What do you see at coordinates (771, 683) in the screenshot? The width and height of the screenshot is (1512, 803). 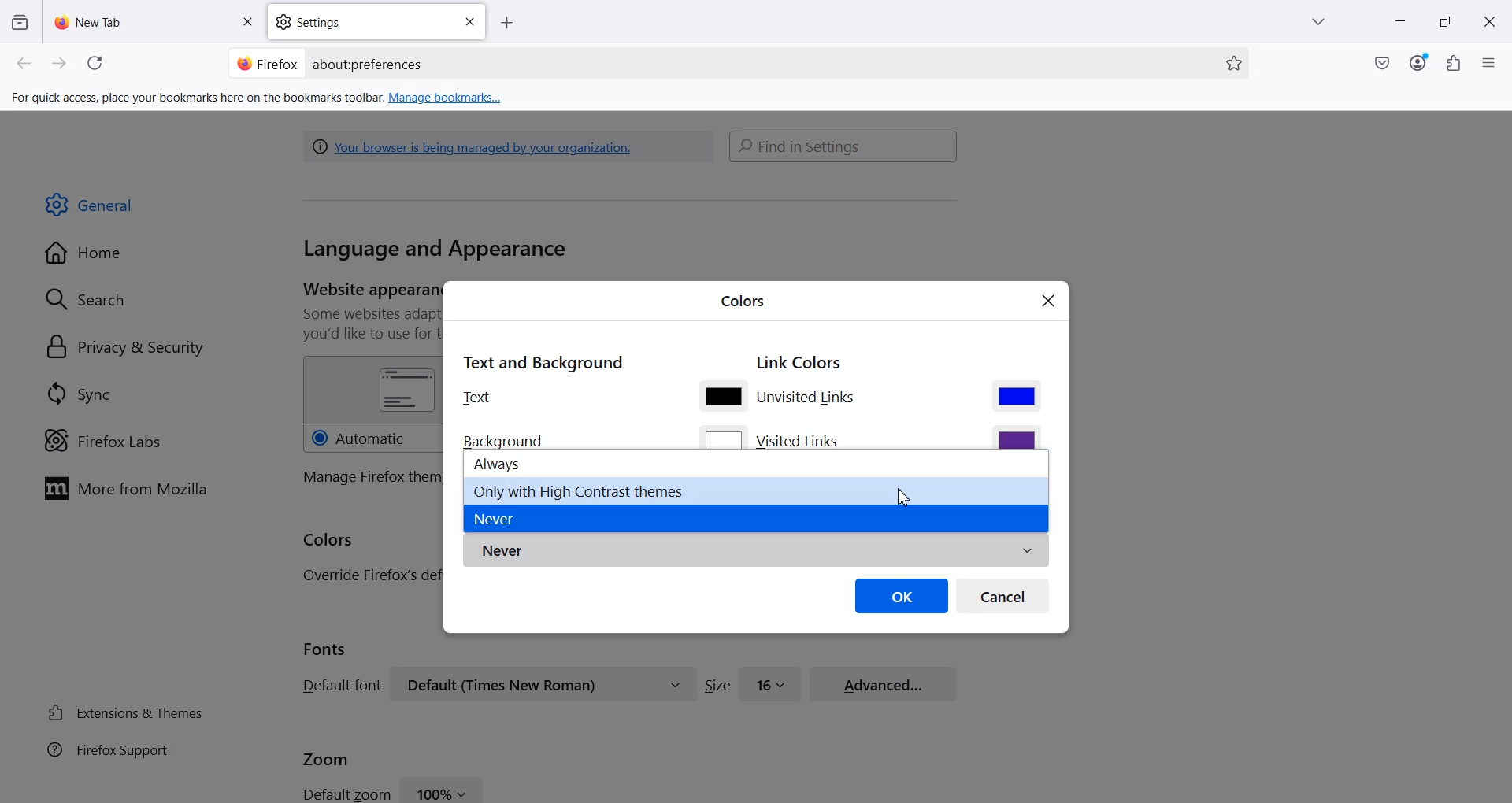 I see `16` at bounding box center [771, 683].